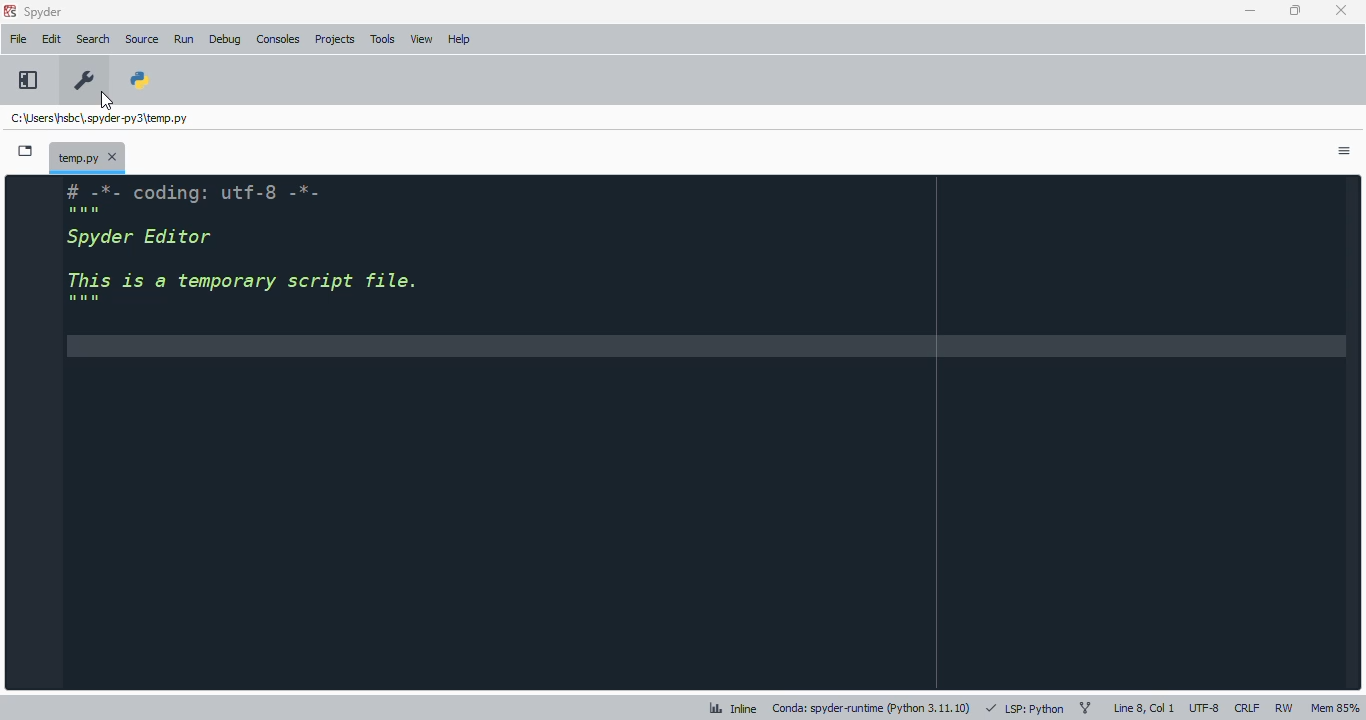 This screenshot has width=1366, height=720. I want to click on close, so click(1342, 10).